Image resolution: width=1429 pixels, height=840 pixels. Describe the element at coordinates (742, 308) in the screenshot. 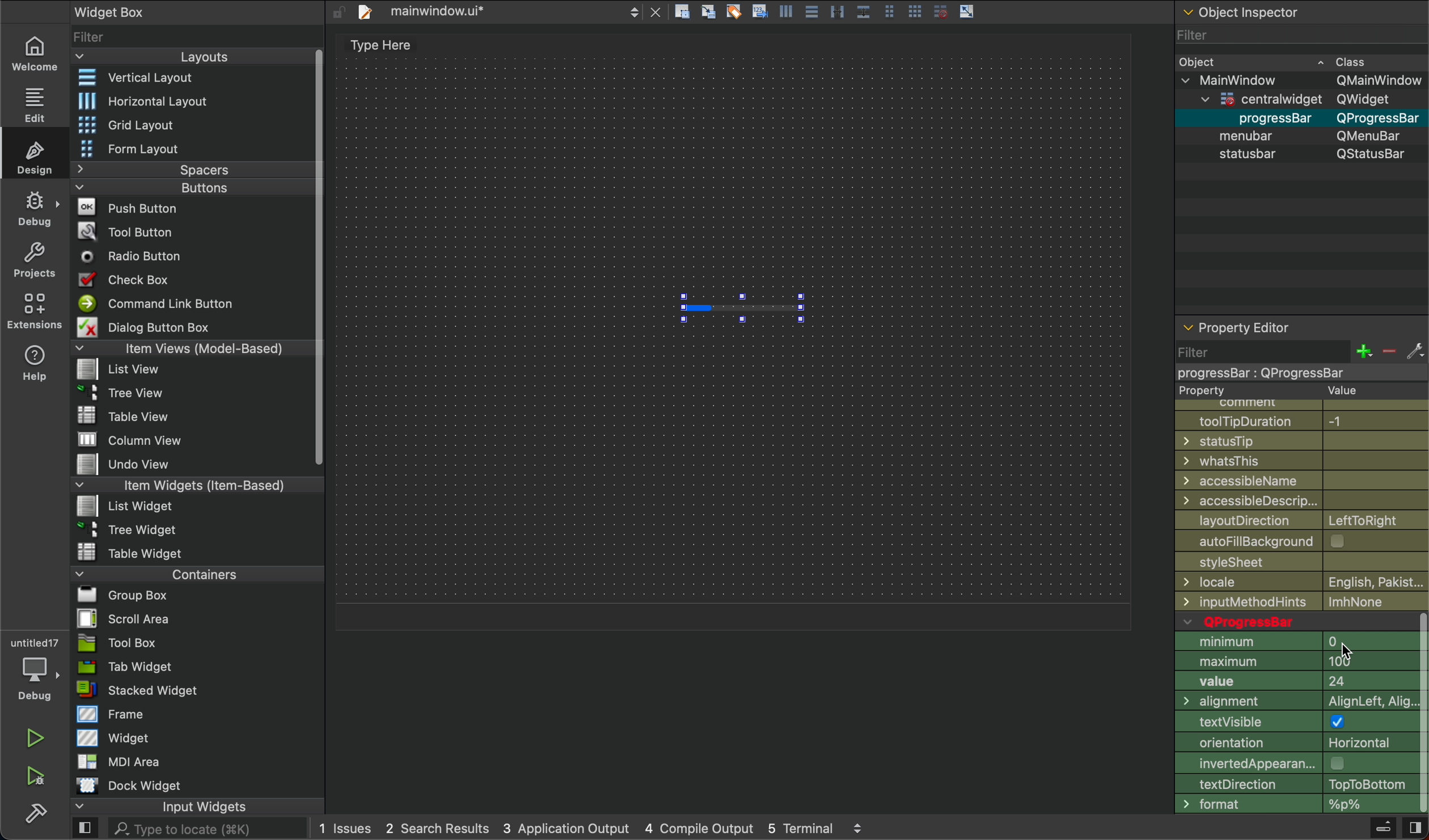

I see `progress bar` at that location.